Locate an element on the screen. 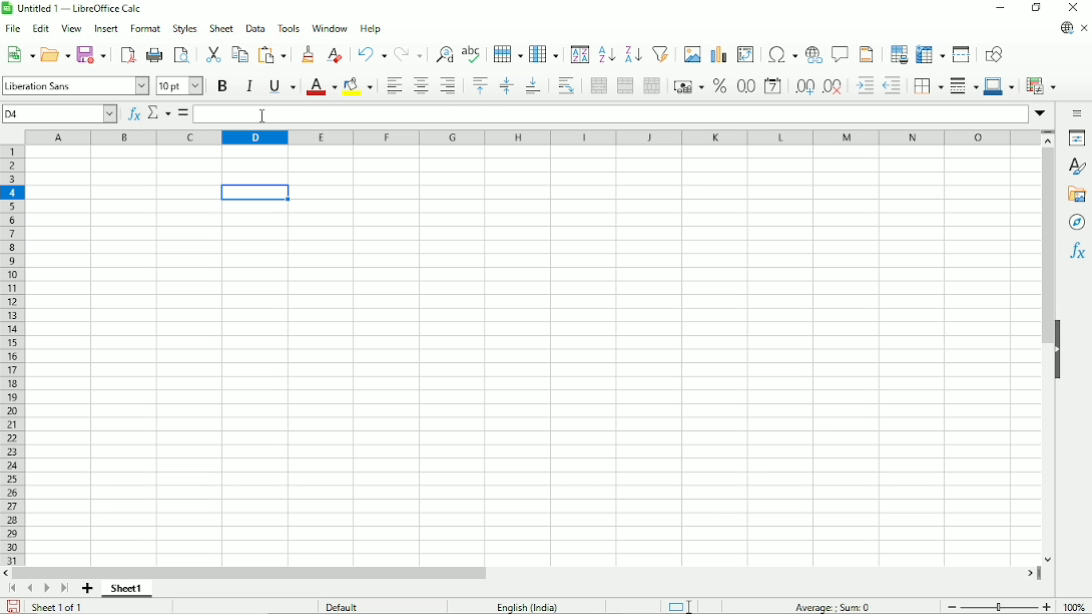  Add sheet is located at coordinates (88, 588).